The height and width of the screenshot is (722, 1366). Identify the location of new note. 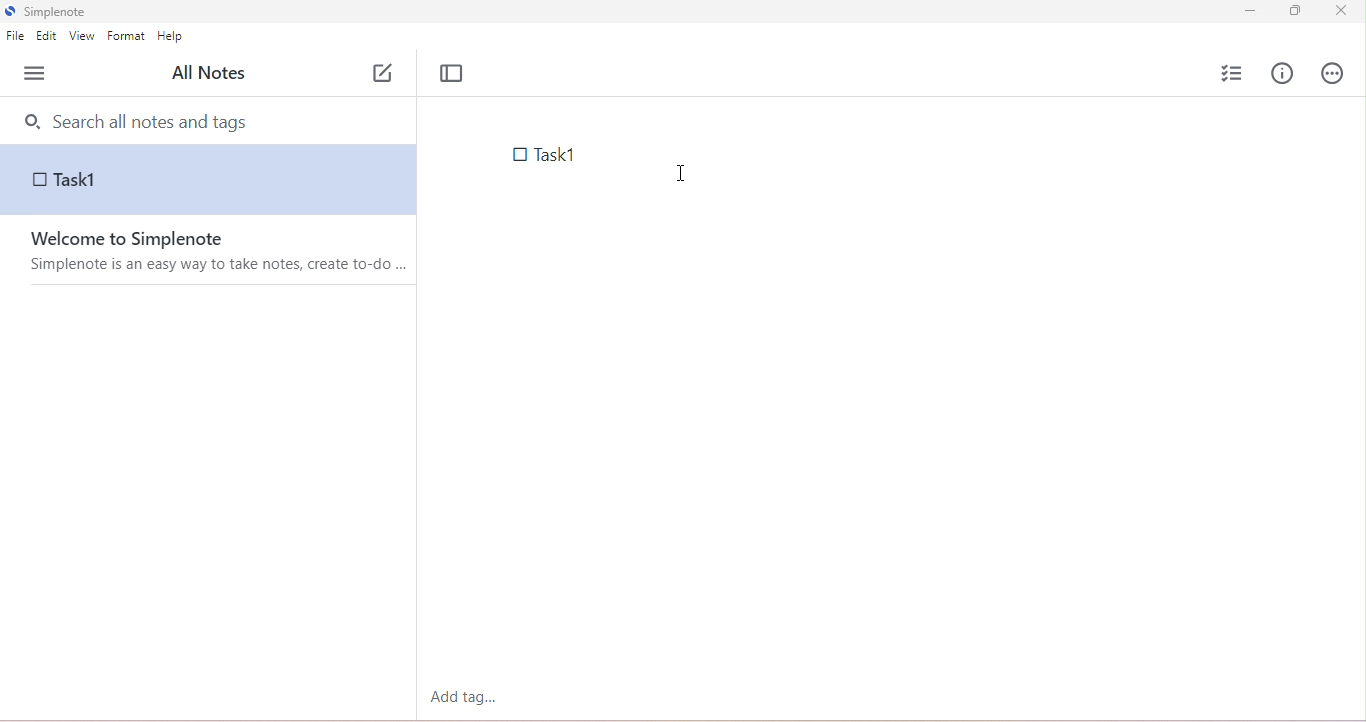
(384, 70).